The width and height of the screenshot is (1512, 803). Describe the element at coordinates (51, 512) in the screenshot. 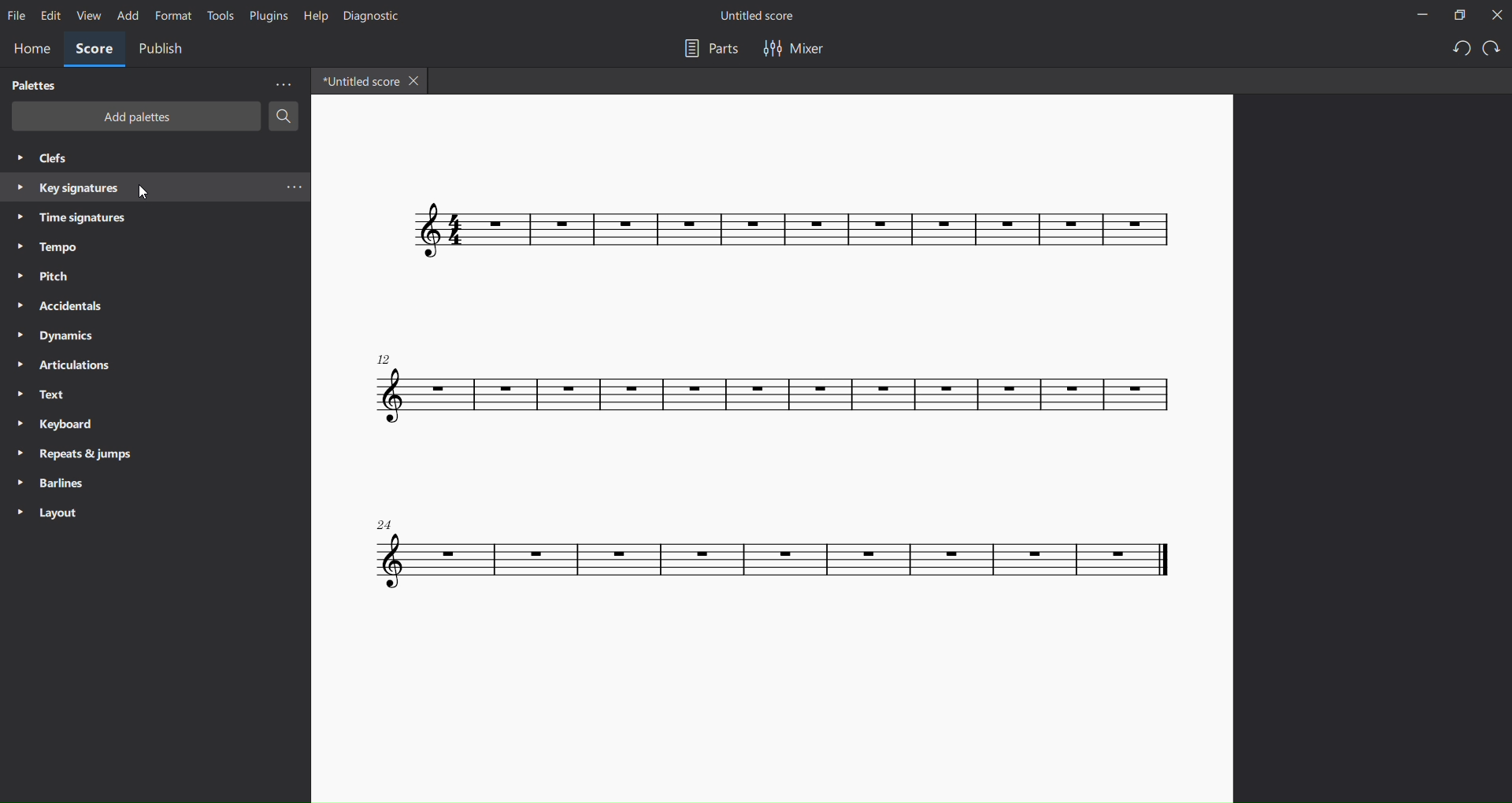

I see `layout` at that location.